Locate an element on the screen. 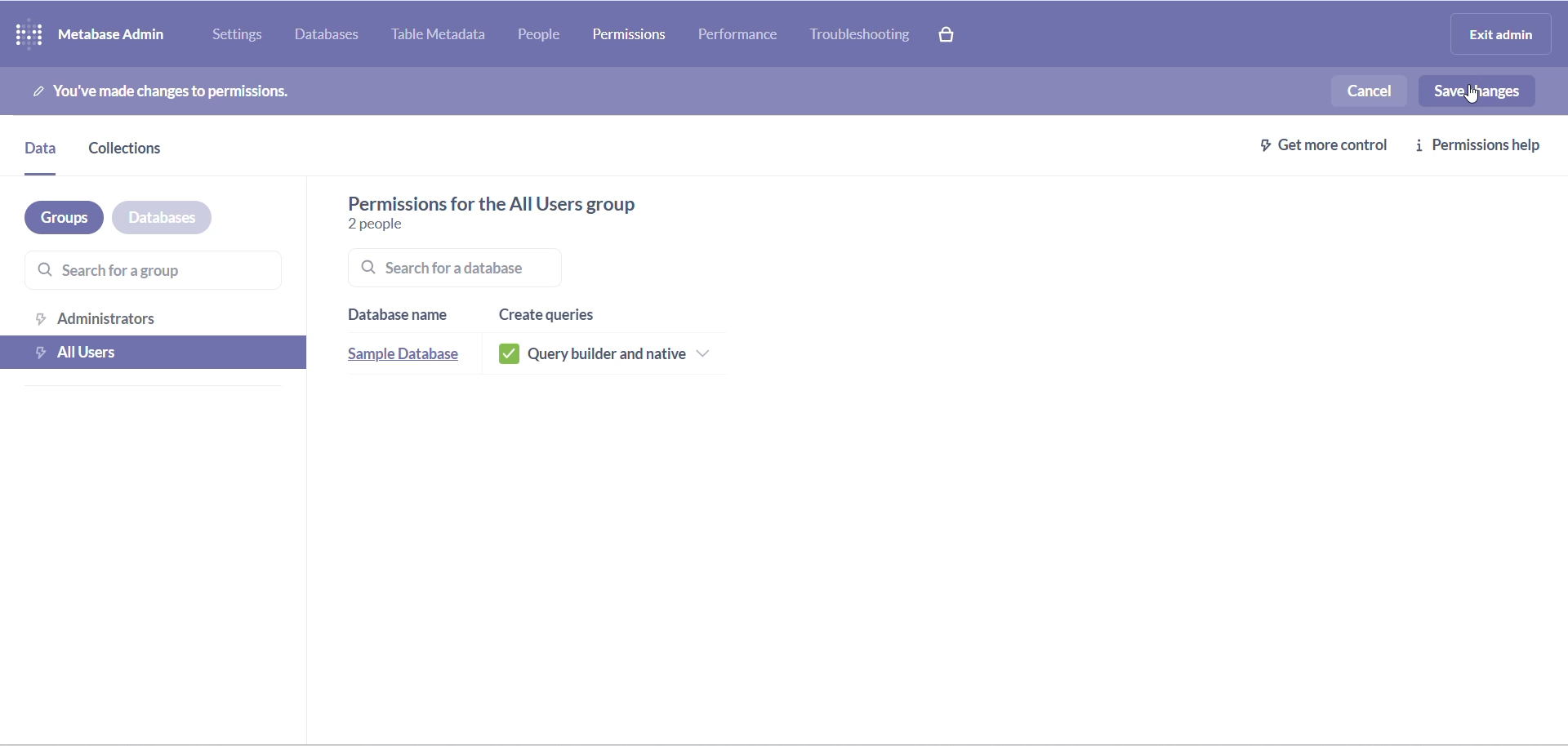 The image size is (1568, 746). cursor is located at coordinates (1471, 96).